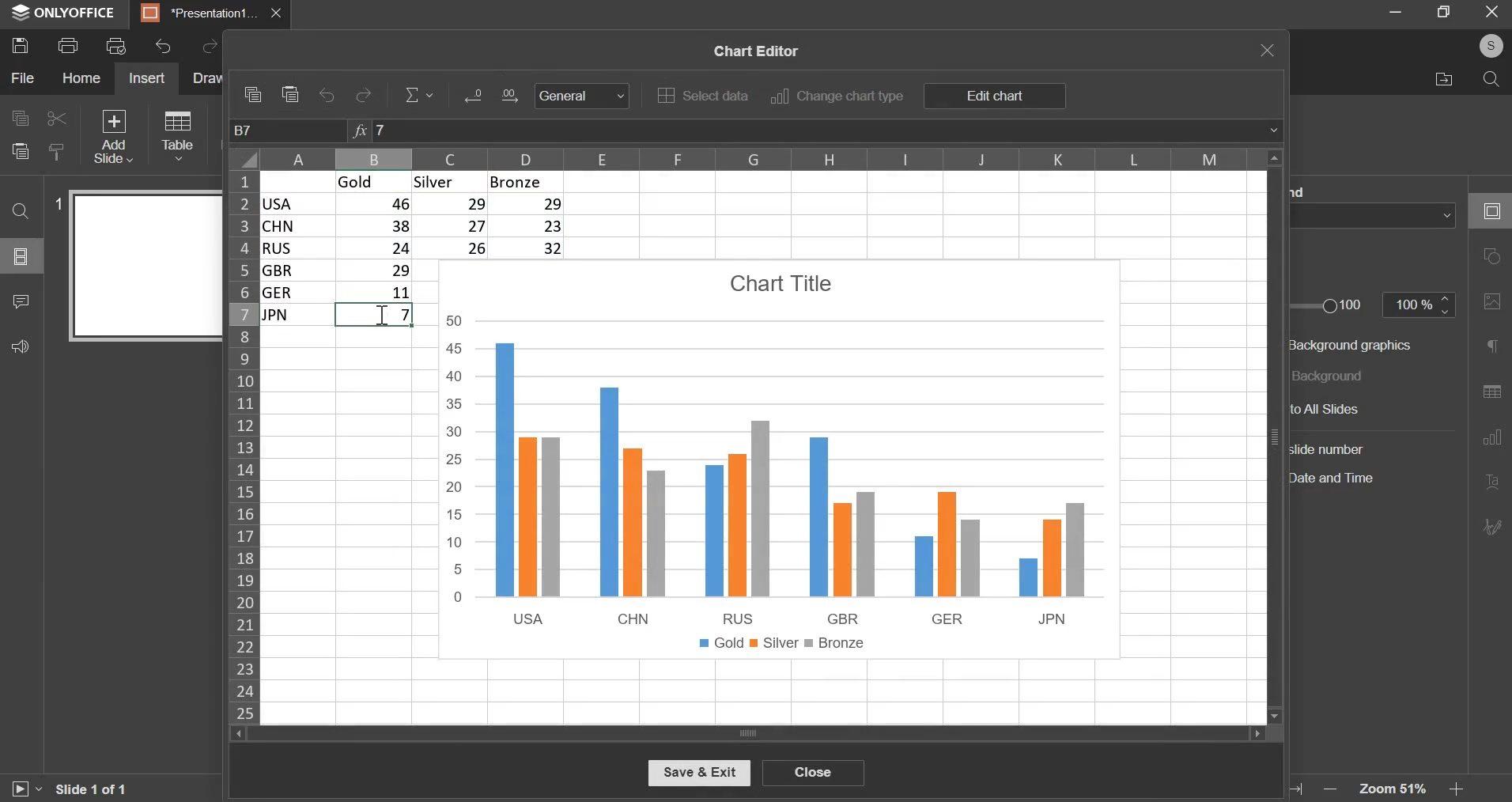 This screenshot has height=802, width=1512. Describe the element at coordinates (376, 206) in the screenshot. I see `46` at that location.